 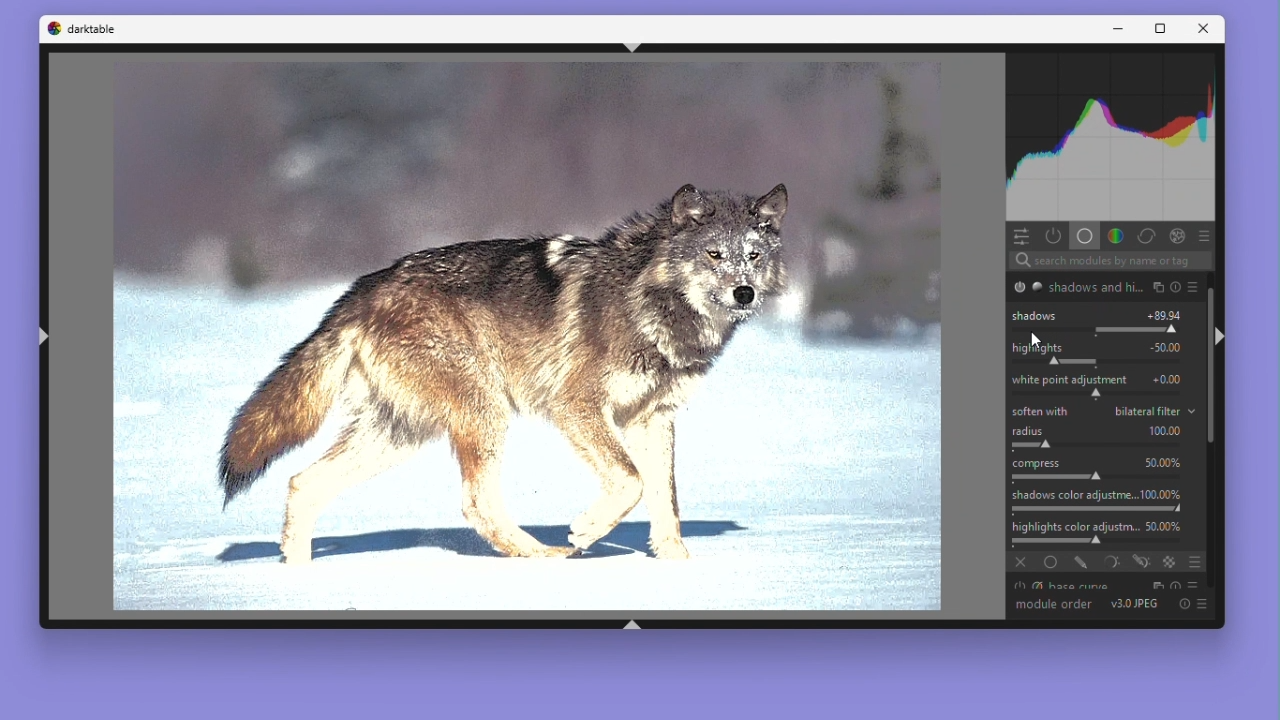 What do you see at coordinates (1096, 527) in the screenshot?
I see `Highlights colour adjustm... 50.00%` at bounding box center [1096, 527].